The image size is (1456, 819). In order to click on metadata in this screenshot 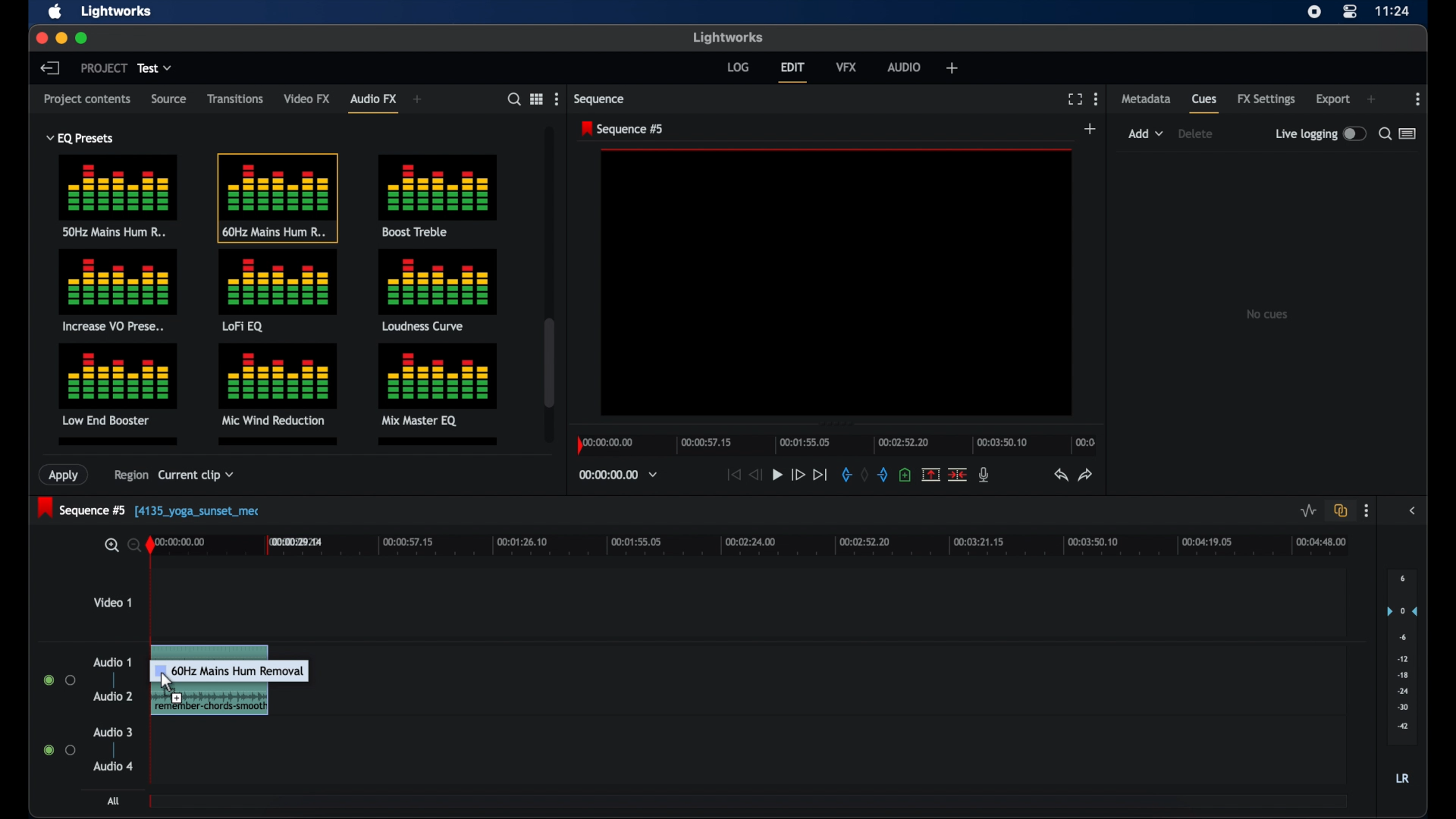, I will do `click(1147, 98)`.